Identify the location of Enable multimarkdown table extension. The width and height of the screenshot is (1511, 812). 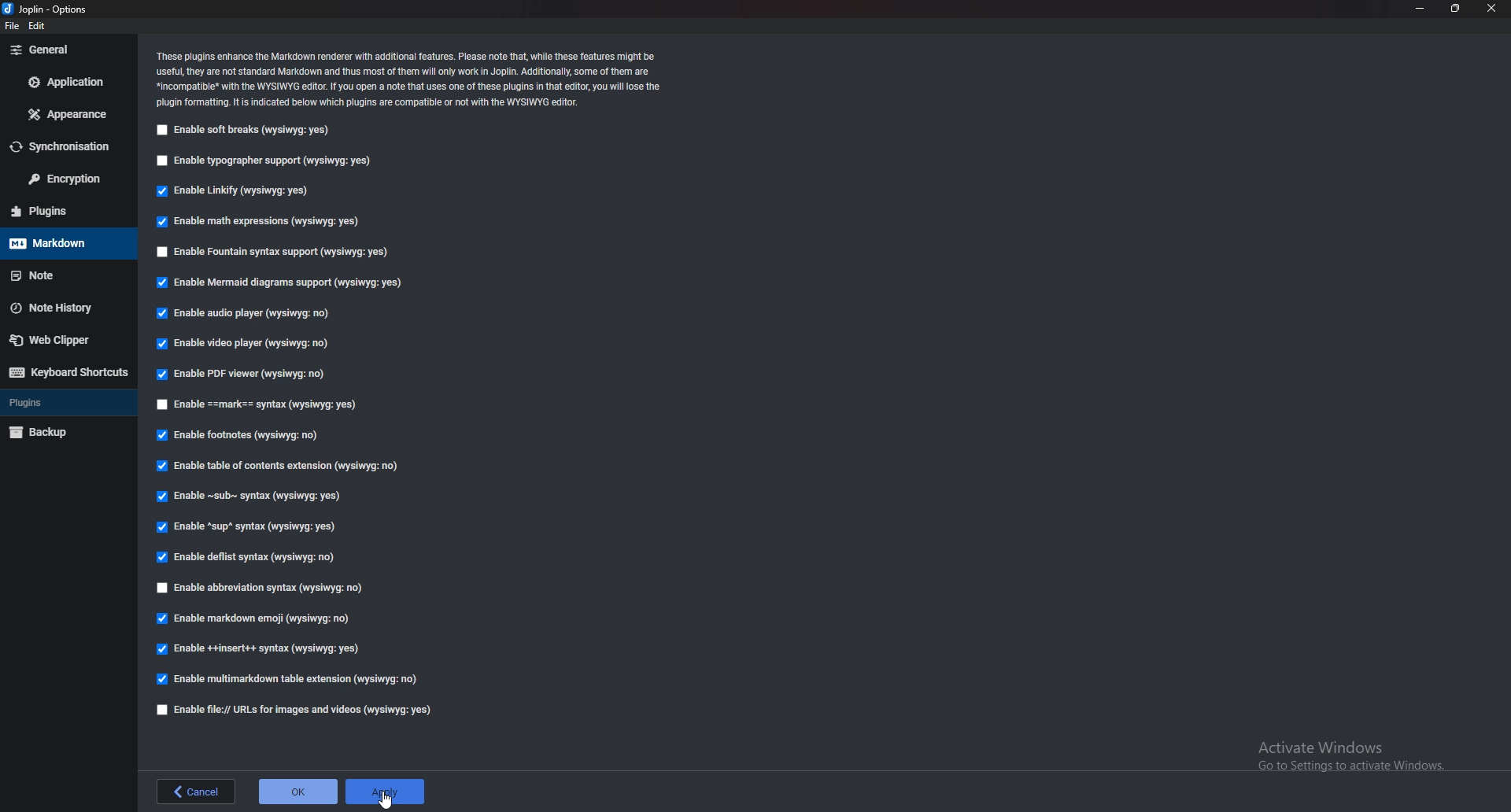
(288, 679).